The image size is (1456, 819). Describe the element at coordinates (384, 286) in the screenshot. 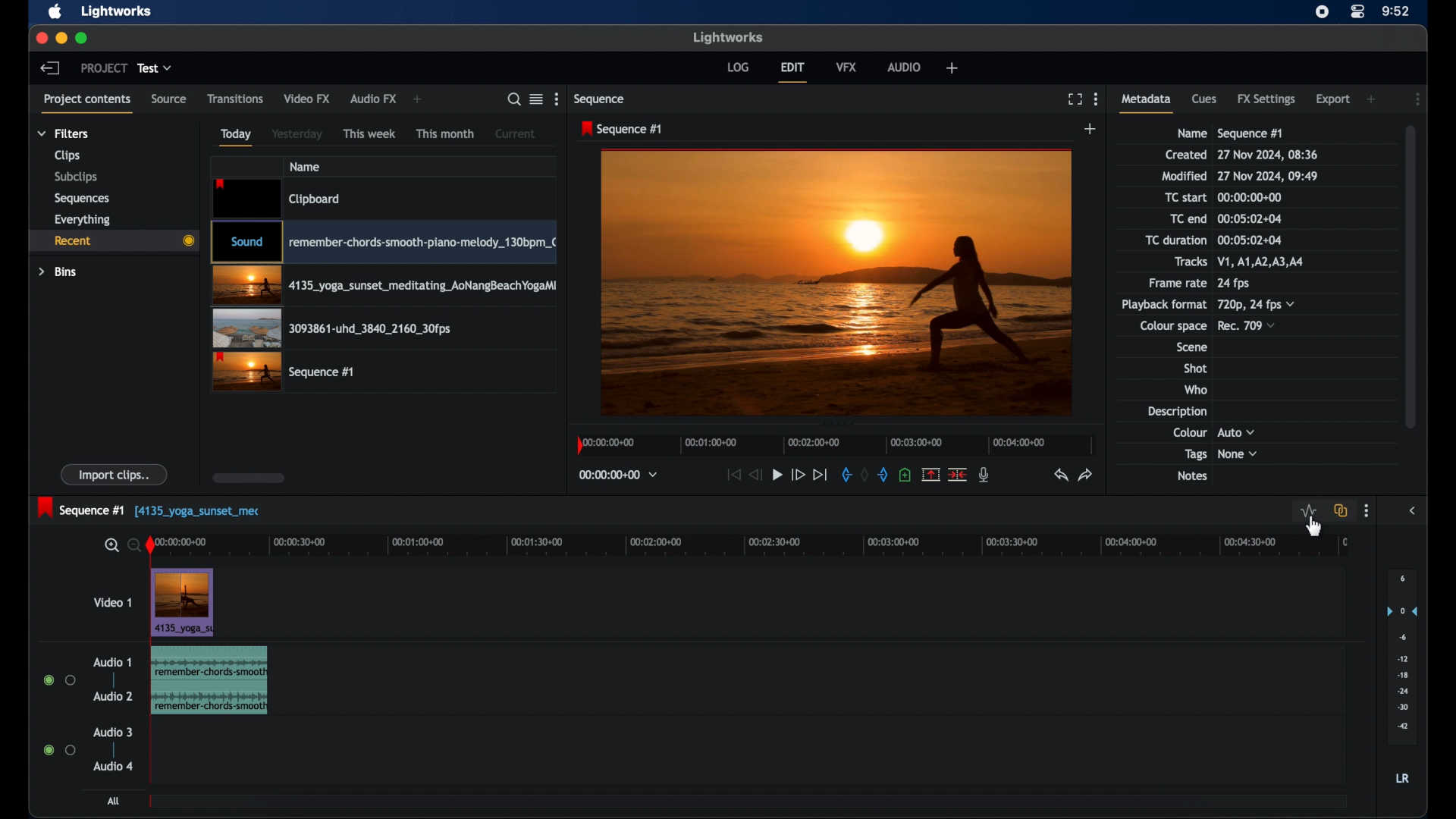

I see `video clip` at that location.